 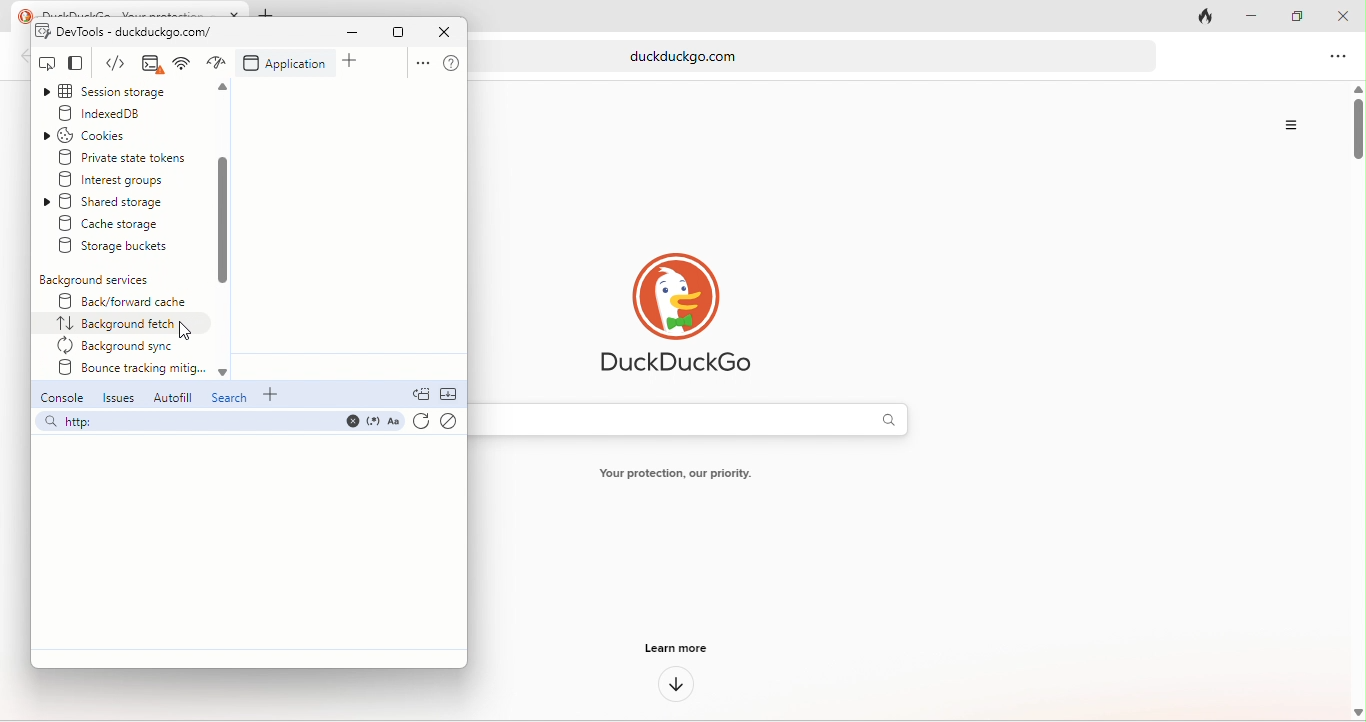 I want to click on select option, so click(x=124, y=324).